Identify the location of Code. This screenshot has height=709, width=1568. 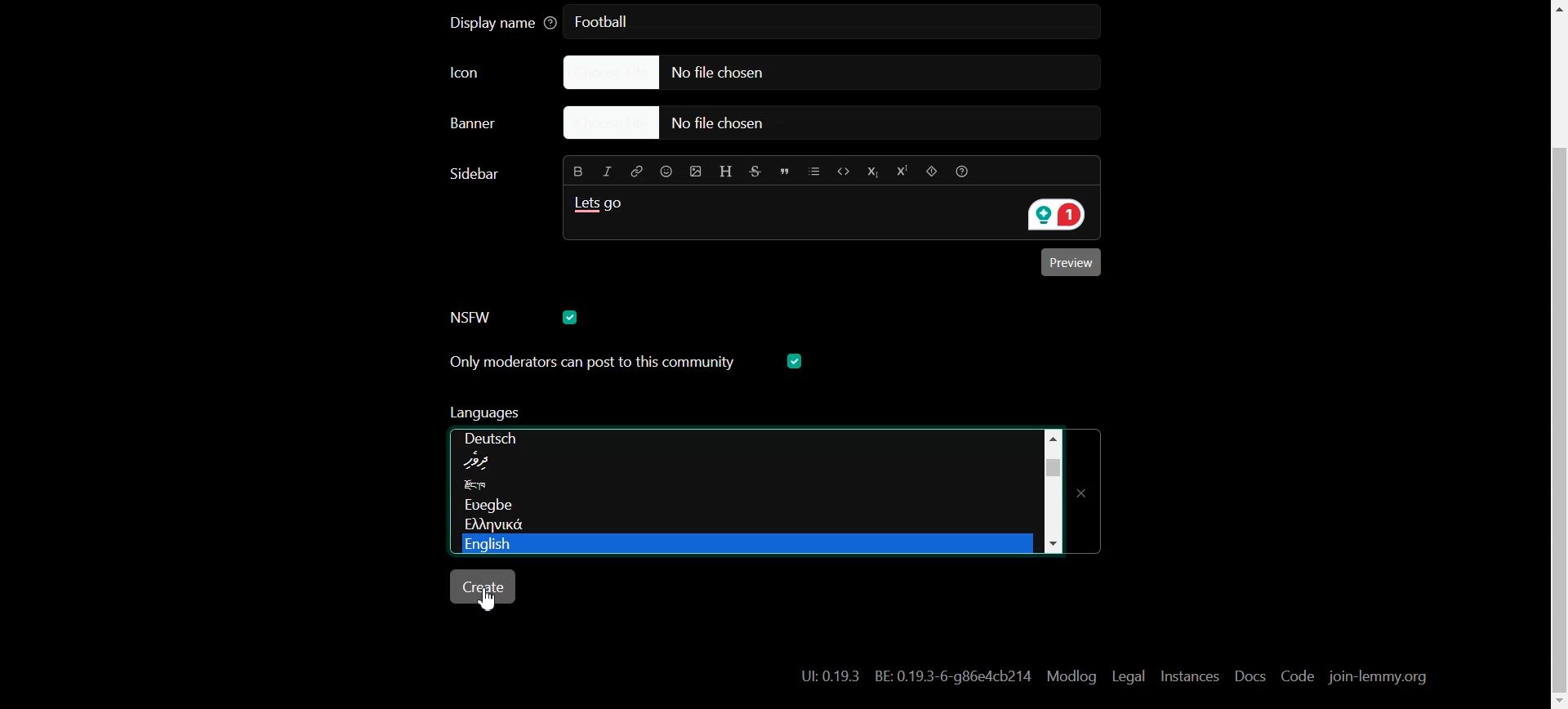
(1296, 677).